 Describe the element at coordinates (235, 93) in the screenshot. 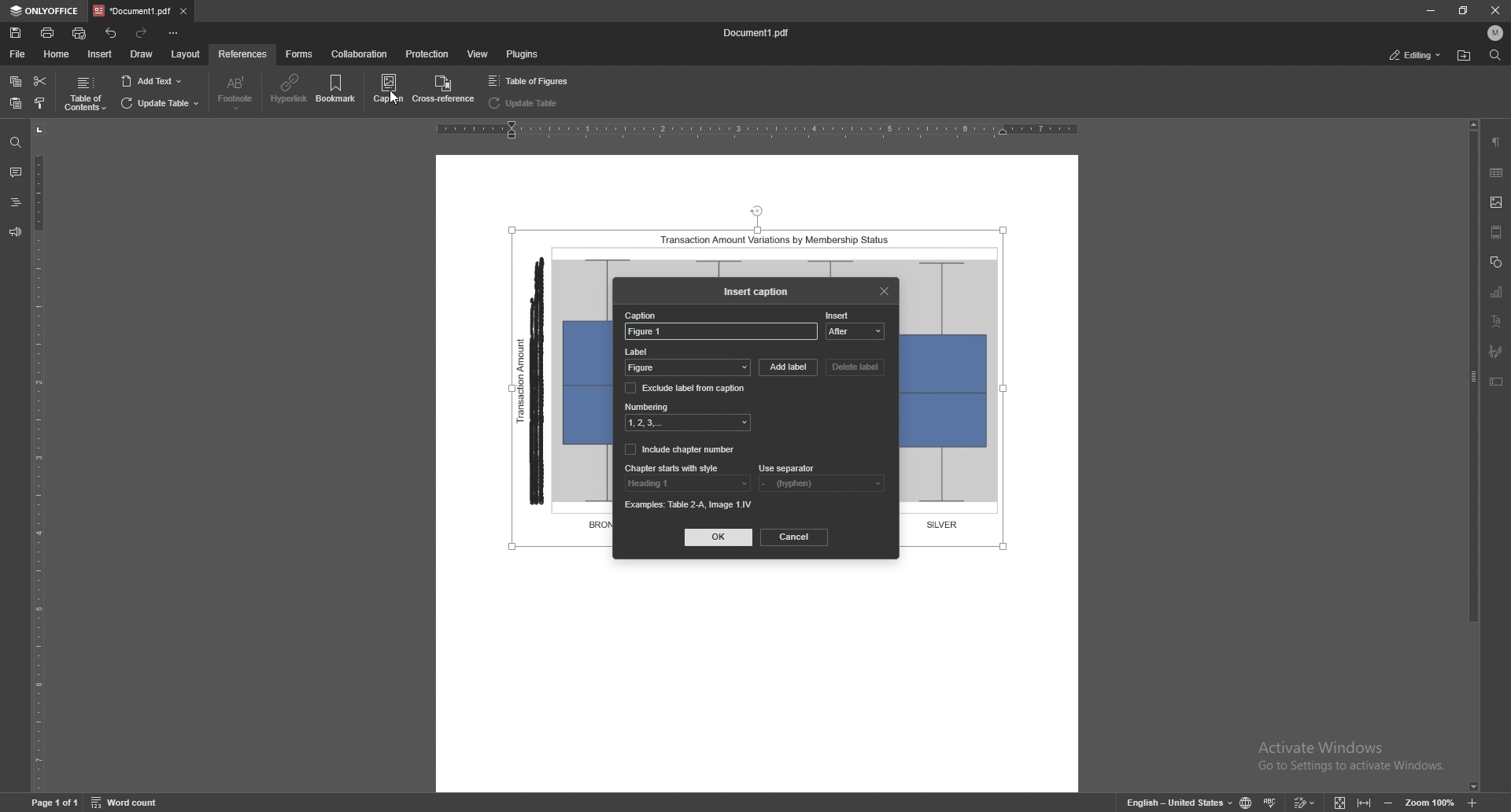

I see `footnote` at that location.